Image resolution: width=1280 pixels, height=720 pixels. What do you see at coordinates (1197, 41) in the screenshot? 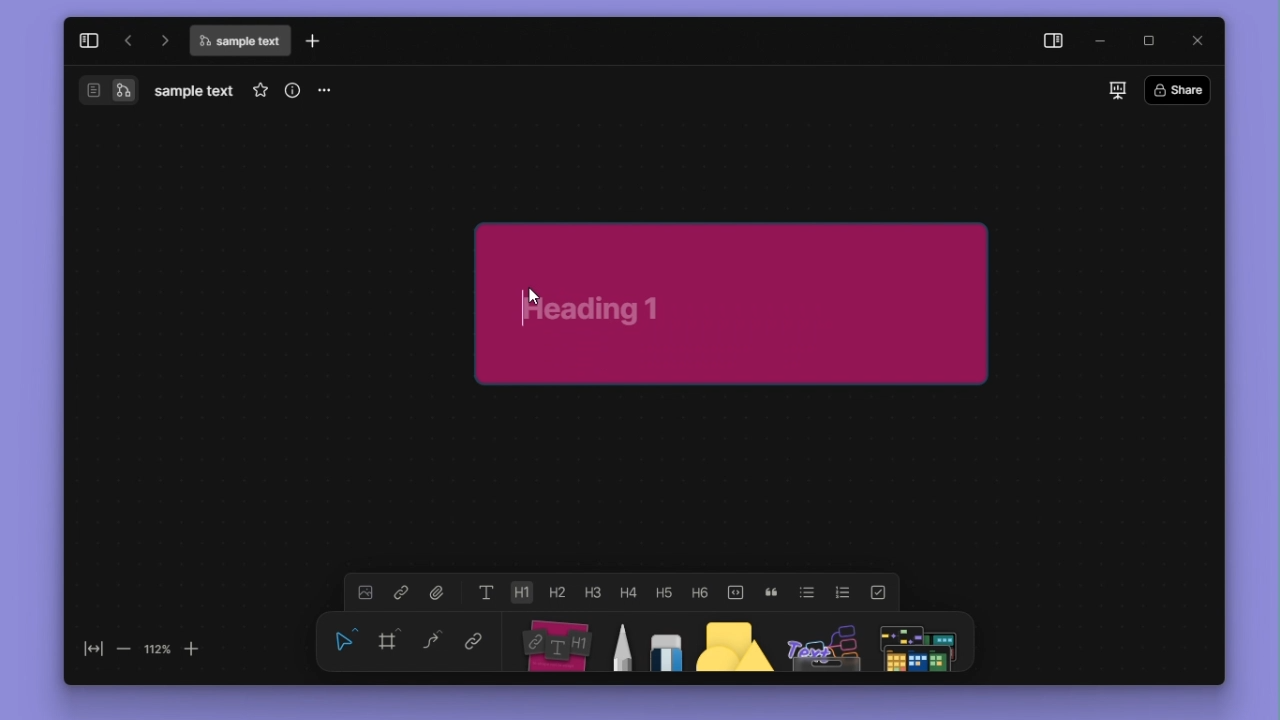
I see `close` at bounding box center [1197, 41].